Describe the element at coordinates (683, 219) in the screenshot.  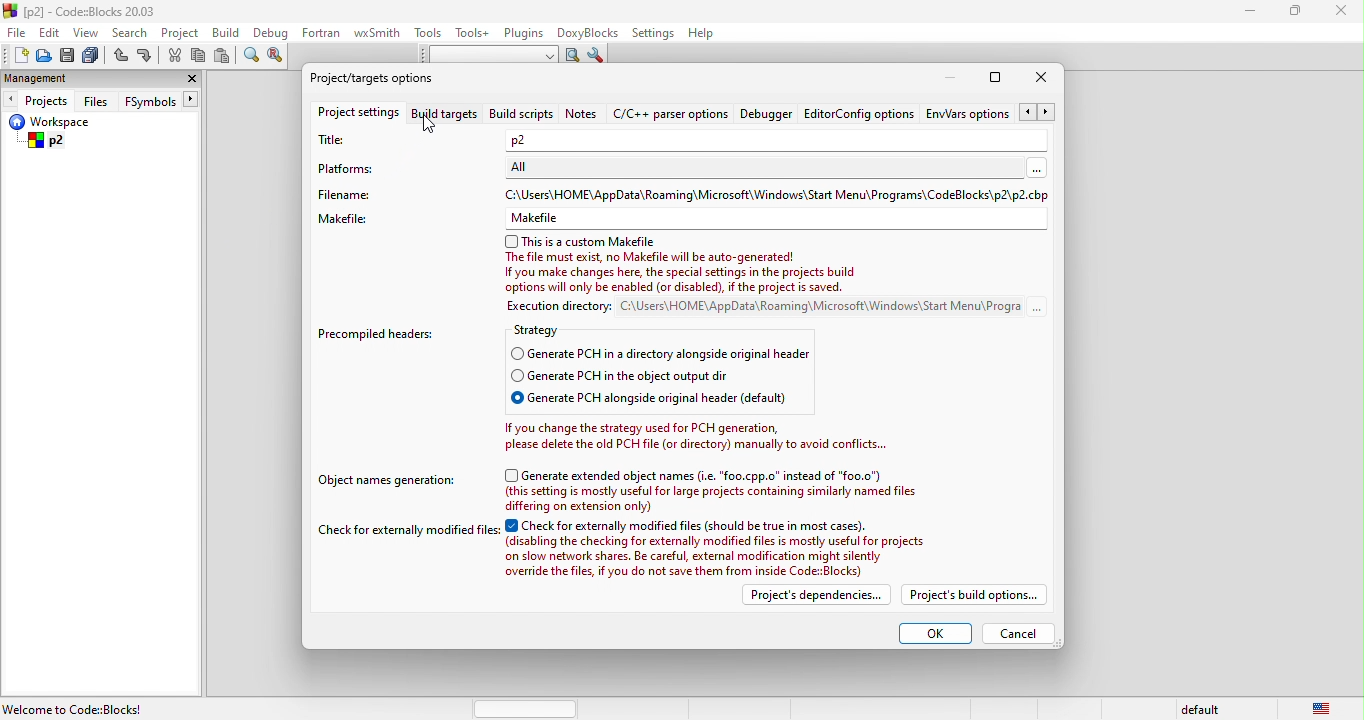
I see `makefile` at that location.